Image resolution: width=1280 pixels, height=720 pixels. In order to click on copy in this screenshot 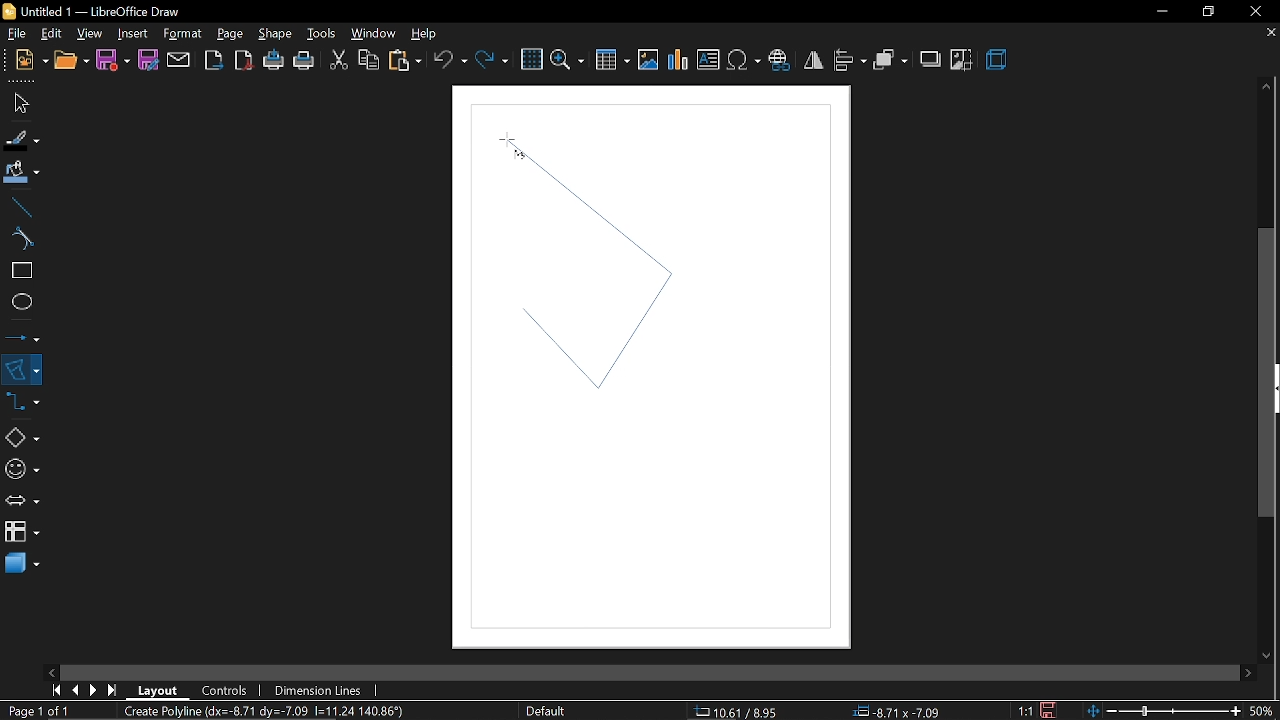, I will do `click(366, 60)`.